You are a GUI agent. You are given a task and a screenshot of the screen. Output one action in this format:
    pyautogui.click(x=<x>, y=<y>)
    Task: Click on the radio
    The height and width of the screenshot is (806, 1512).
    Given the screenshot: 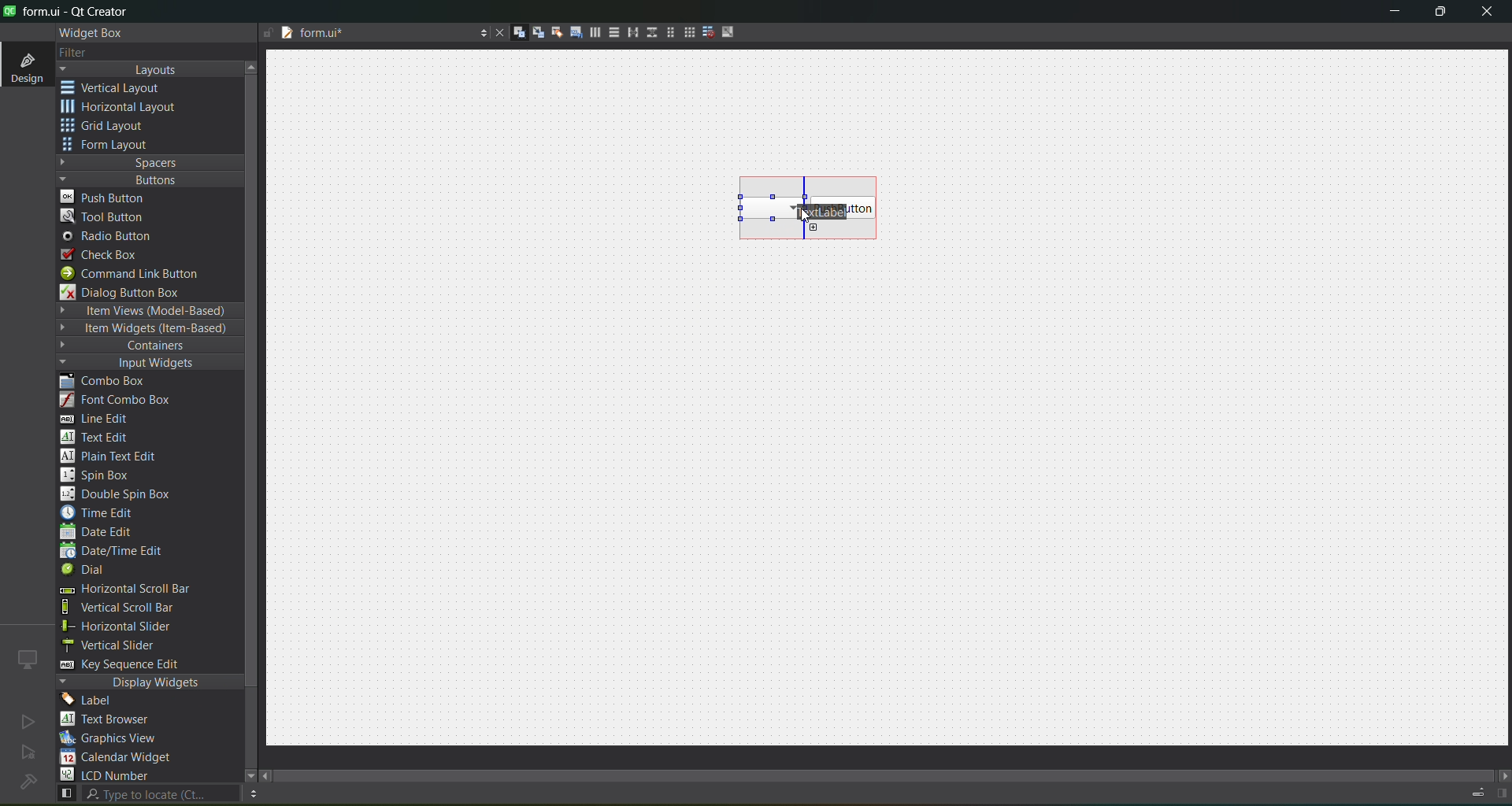 What is the action you would take?
    pyautogui.click(x=112, y=237)
    